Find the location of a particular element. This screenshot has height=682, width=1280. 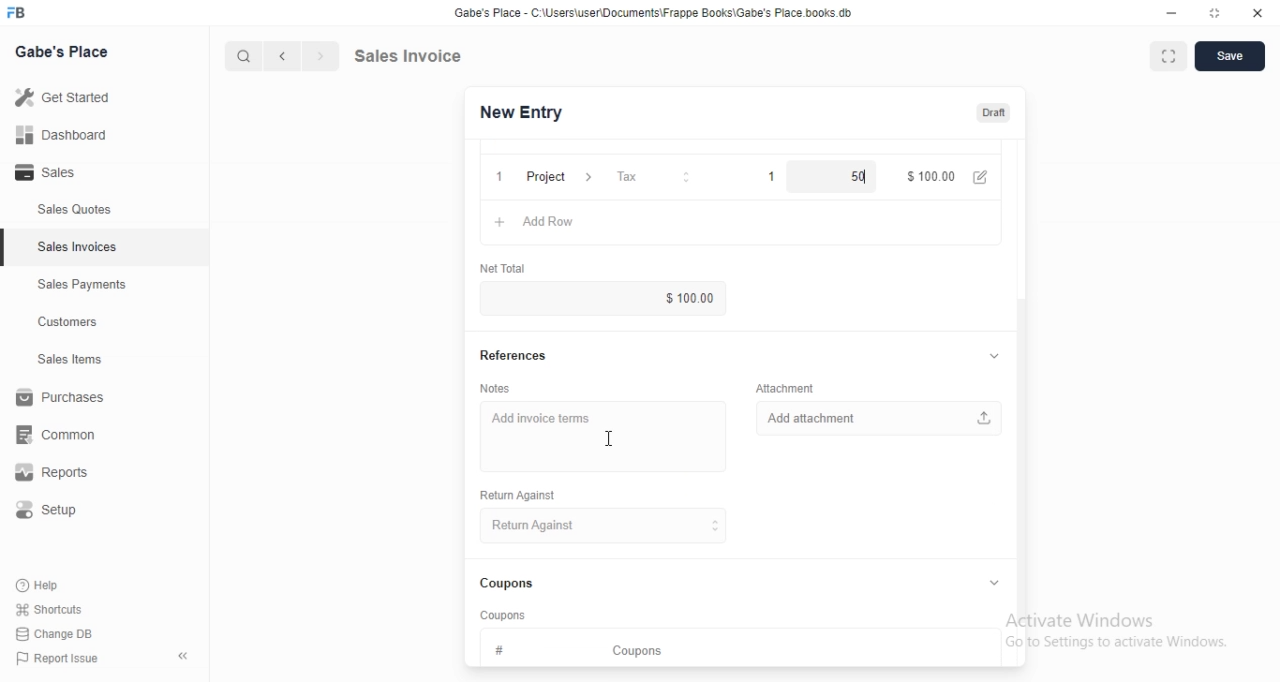

Getstared is located at coordinates (68, 99).